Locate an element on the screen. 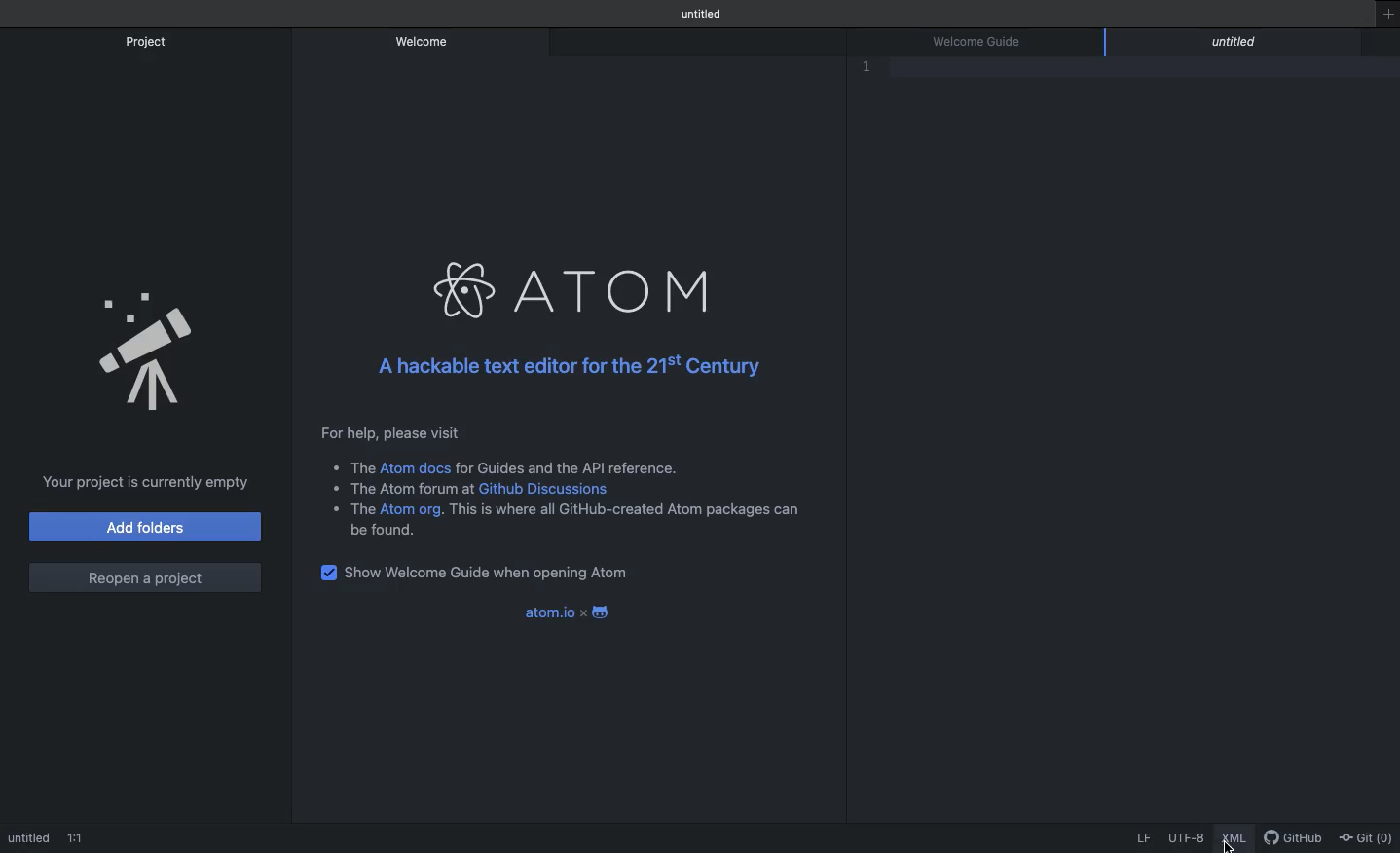  Atom docs Link is located at coordinates (416, 465).